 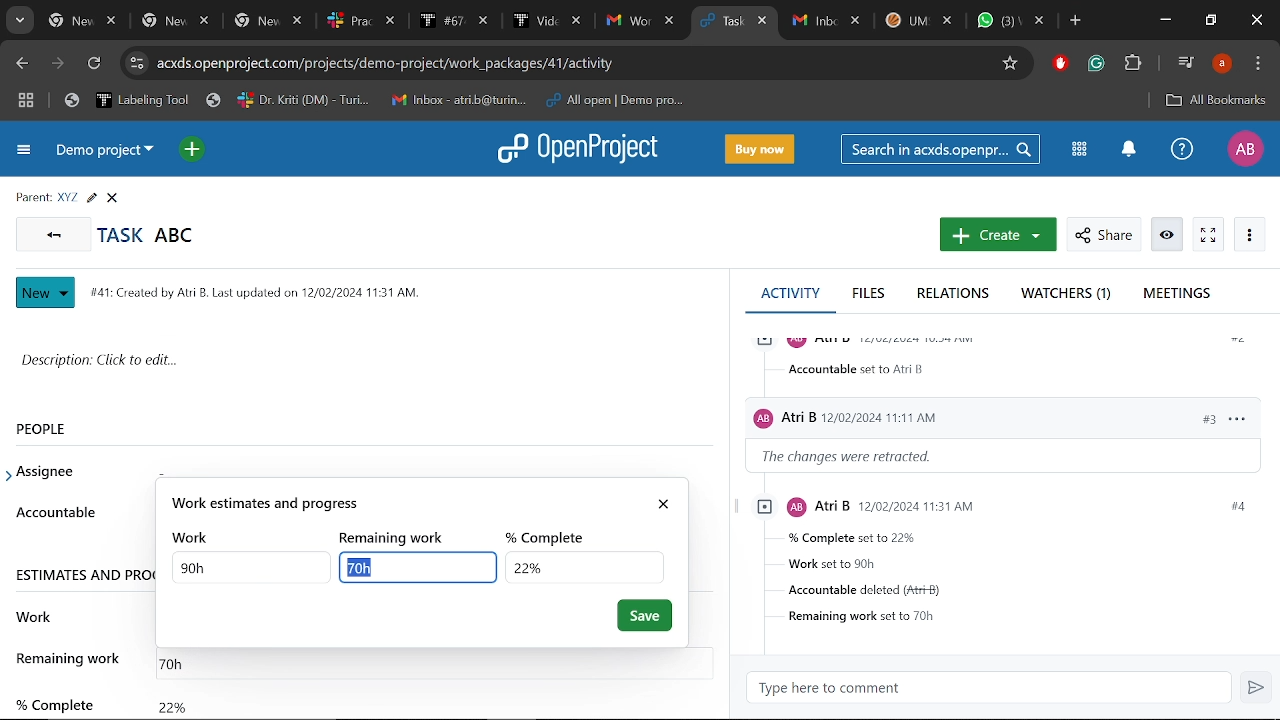 I want to click on Selected text, so click(x=411, y=567).